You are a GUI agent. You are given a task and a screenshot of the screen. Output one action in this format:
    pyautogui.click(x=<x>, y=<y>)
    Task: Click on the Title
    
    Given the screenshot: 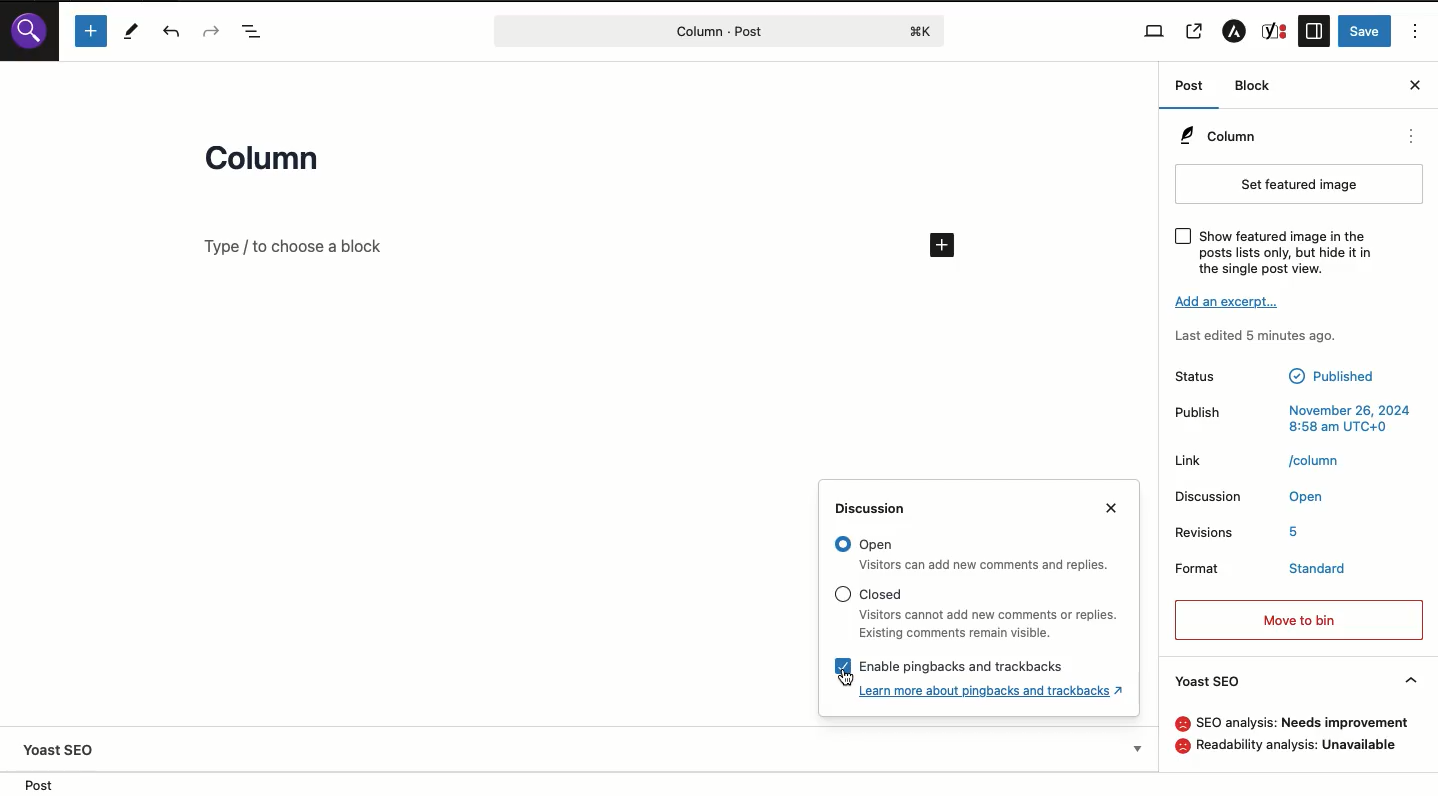 What is the action you would take?
    pyautogui.click(x=269, y=162)
    